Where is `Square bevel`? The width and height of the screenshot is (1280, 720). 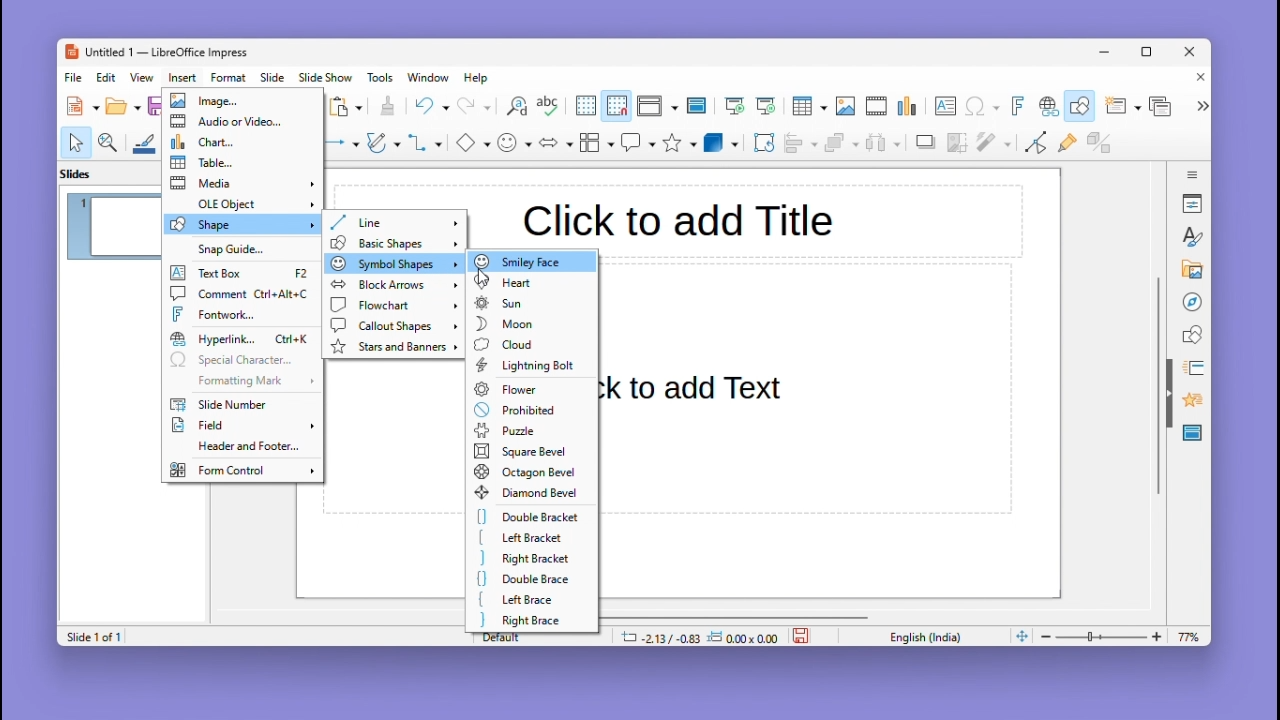 Square bevel is located at coordinates (527, 451).